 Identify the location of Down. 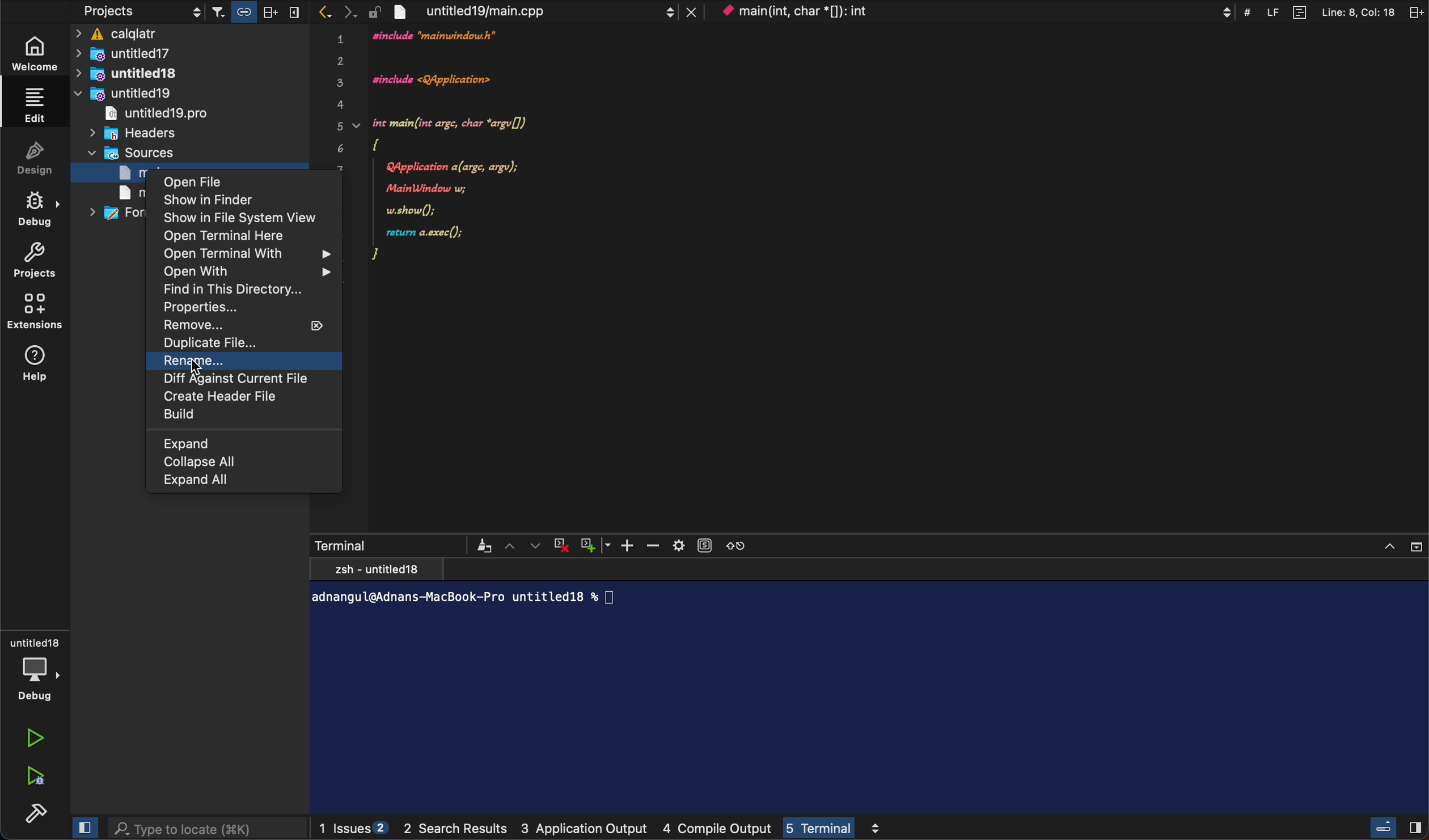
(538, 545).